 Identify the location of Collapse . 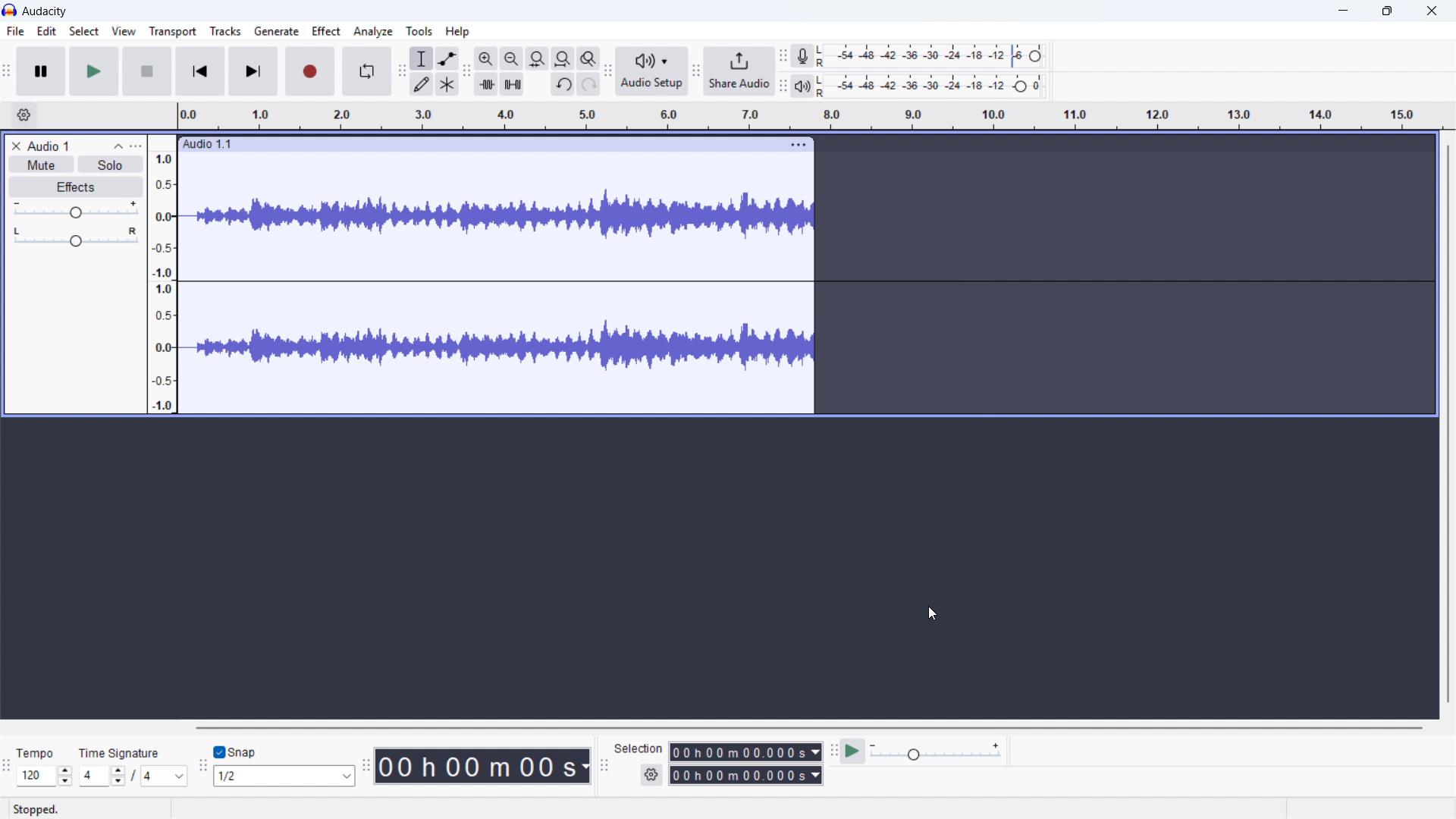
(118, 146).